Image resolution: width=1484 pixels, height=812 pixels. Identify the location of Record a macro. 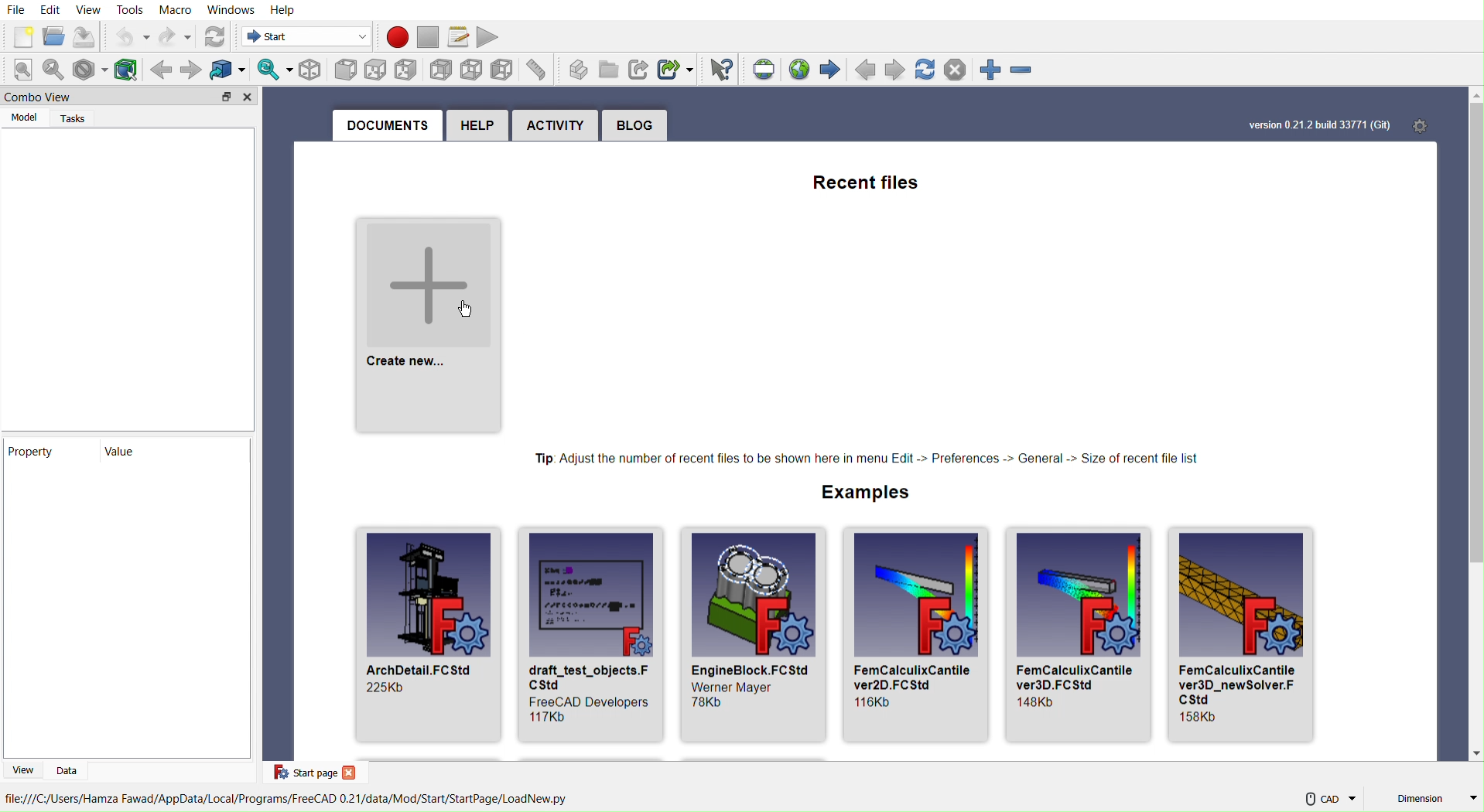
(395, 36).